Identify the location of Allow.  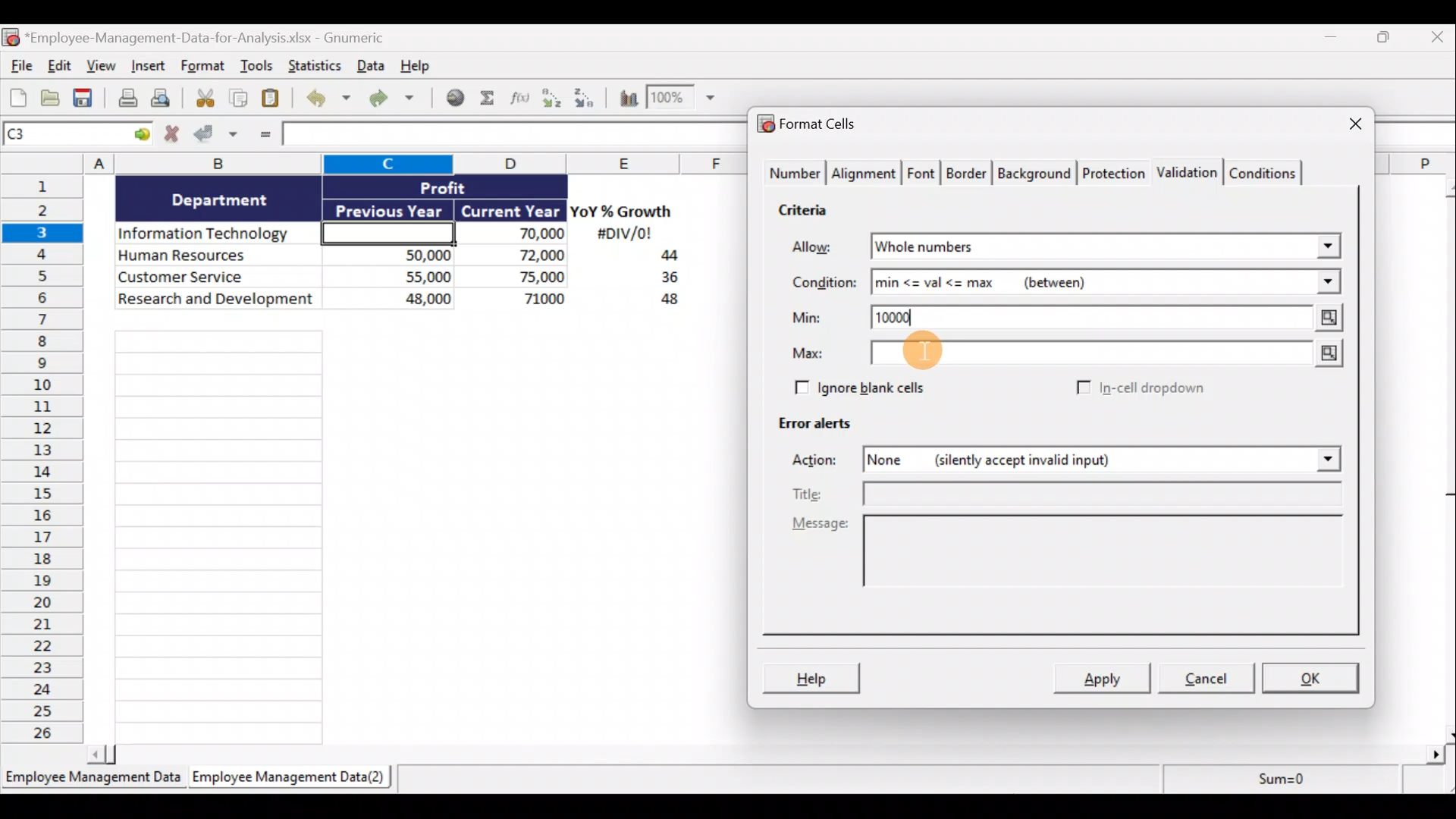
(823, 248).